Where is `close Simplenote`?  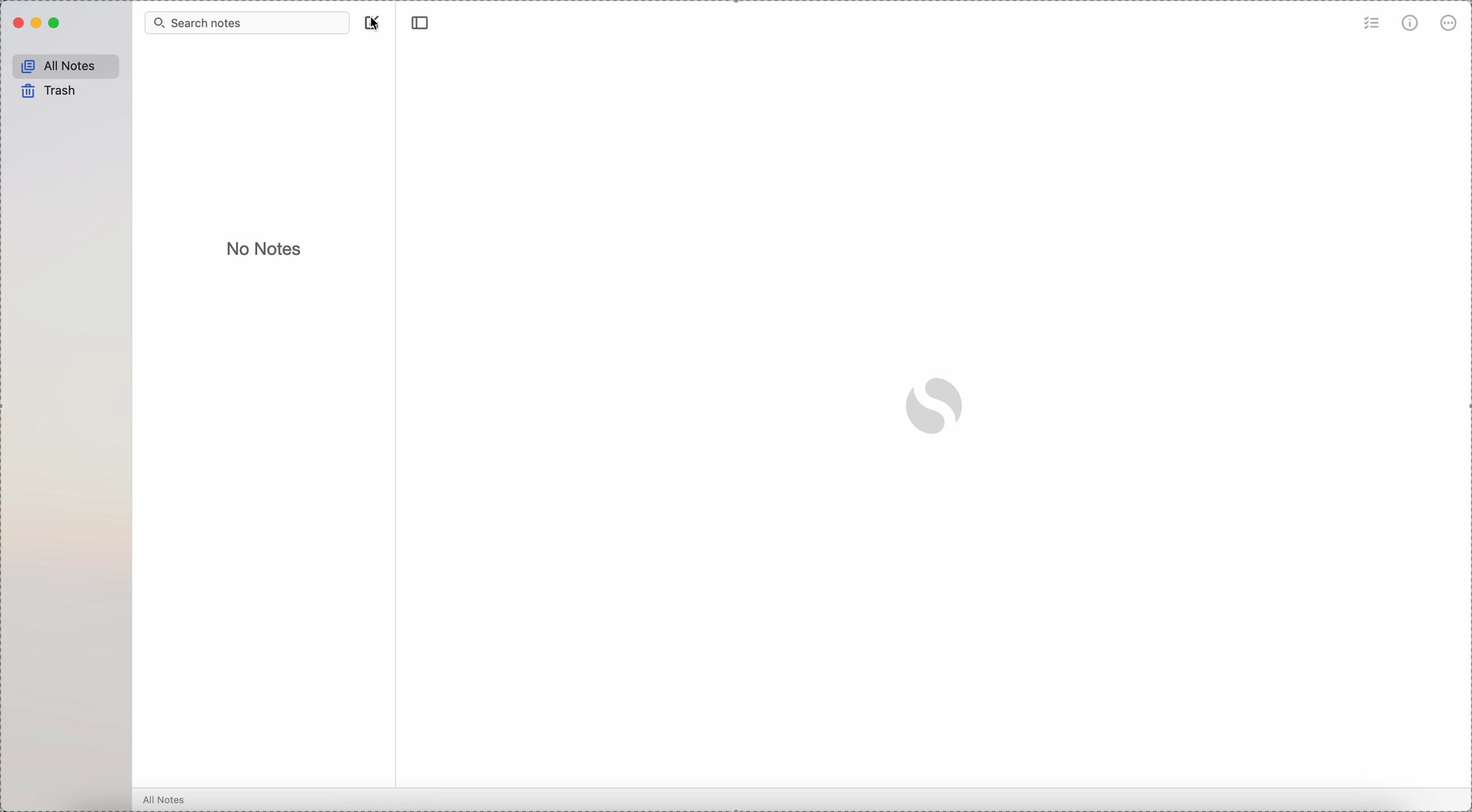
close Simplenote is located at coordinates (17, 23).